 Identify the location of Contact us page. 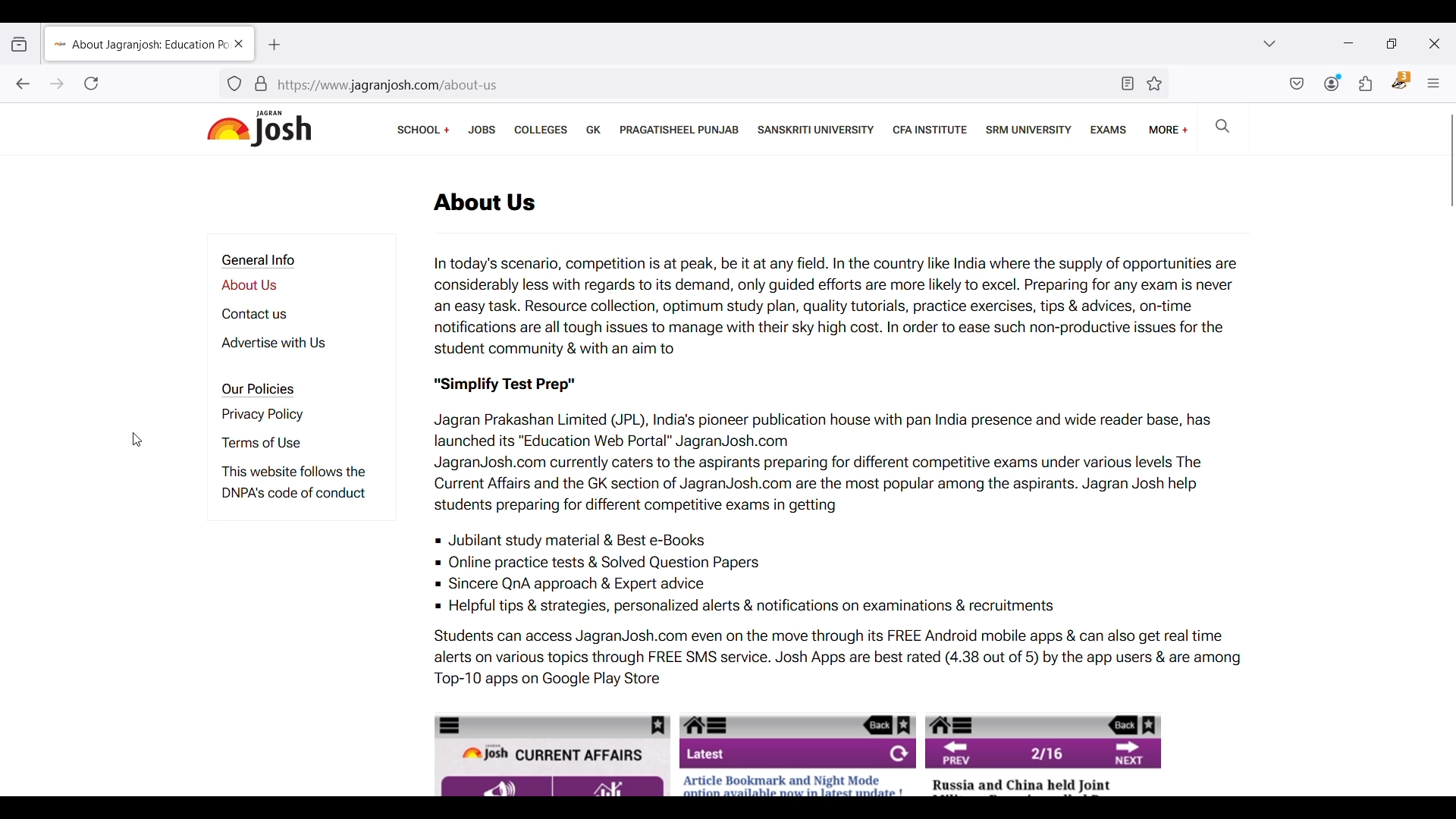
(280, 315).